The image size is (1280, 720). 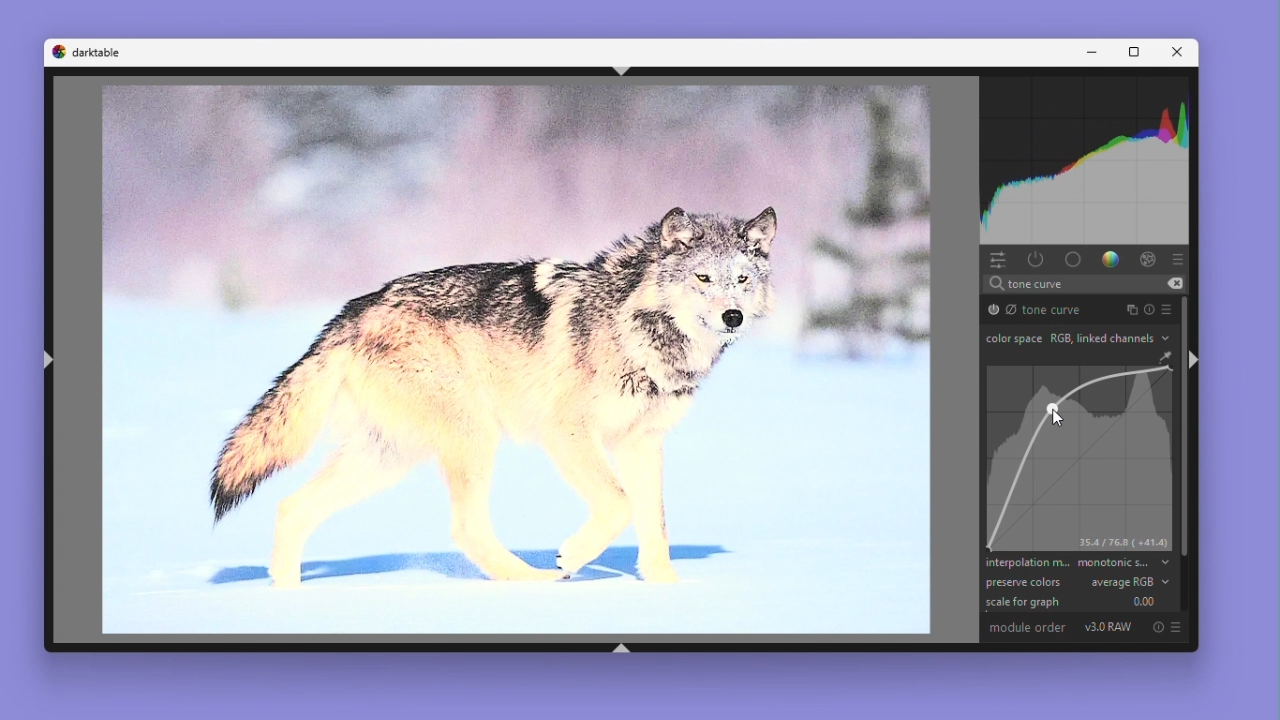 What do you see at coordinates (1076, 338) in the screenshot?
I see `Colour space RGB link channels` at bounding box center [1076, 338].